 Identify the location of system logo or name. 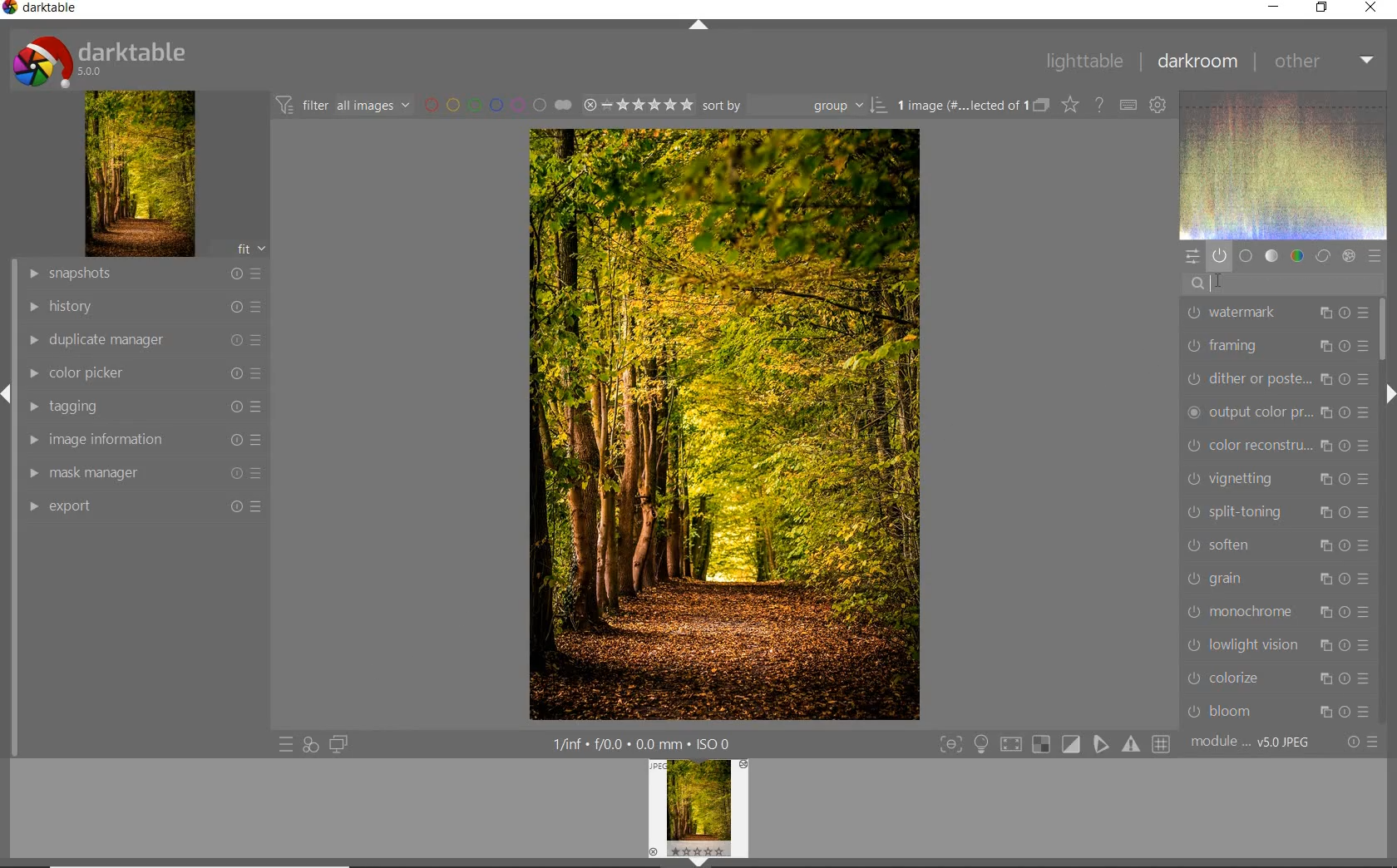
(106, 60).